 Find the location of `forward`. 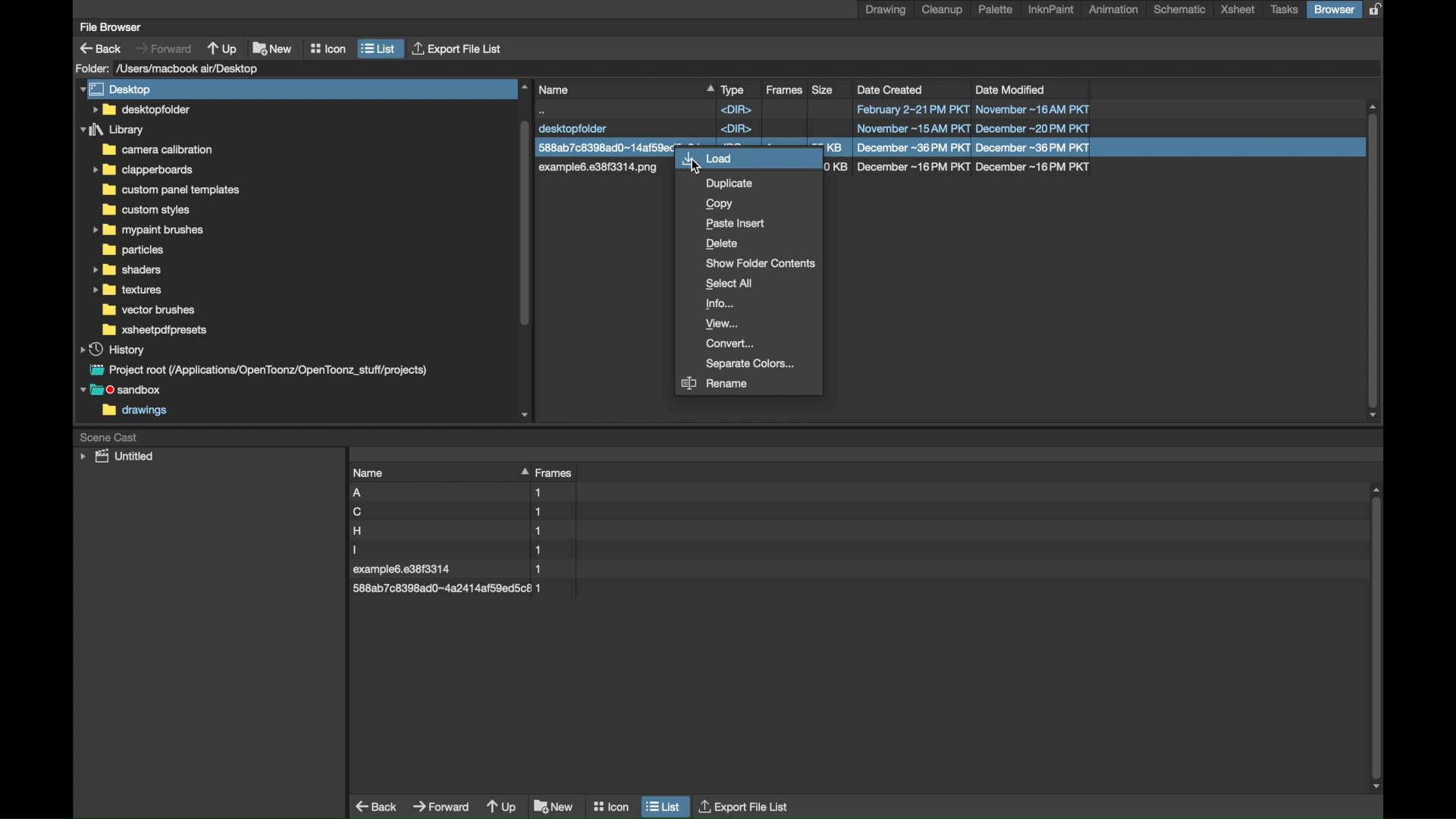

forward is located at coordinates (441, 805).